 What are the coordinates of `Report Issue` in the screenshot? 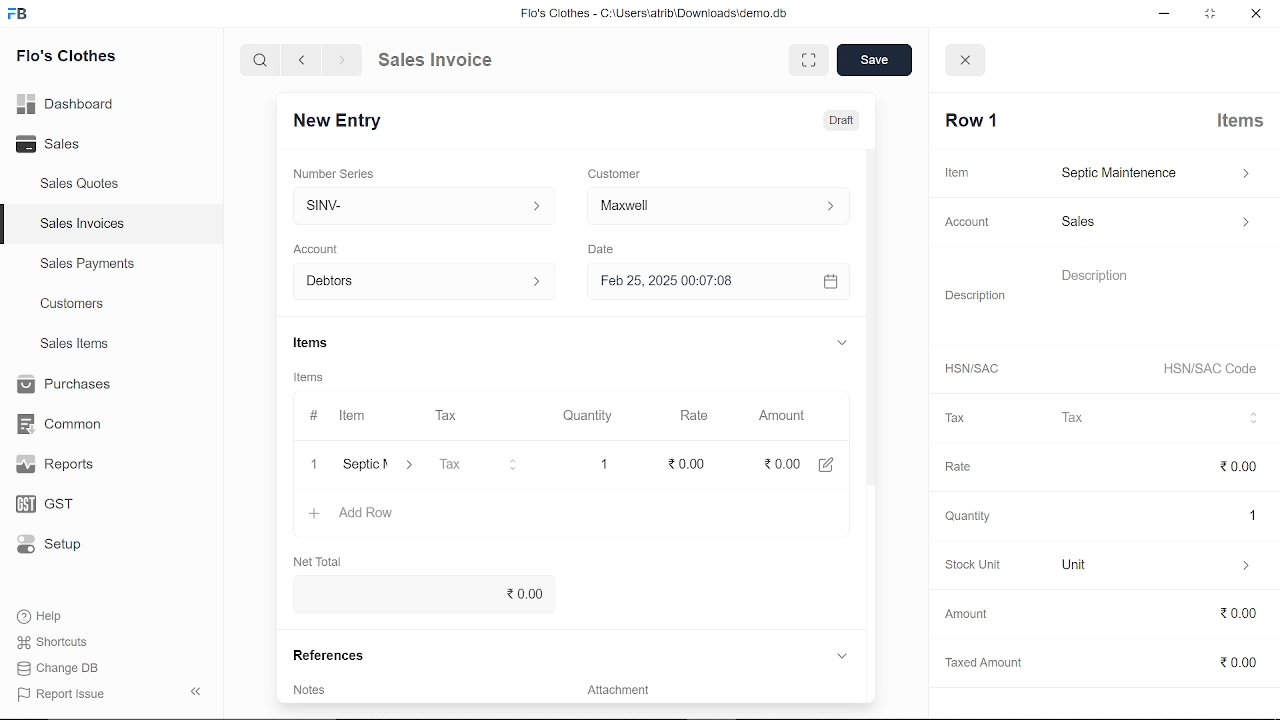 It's located at (61, 693).